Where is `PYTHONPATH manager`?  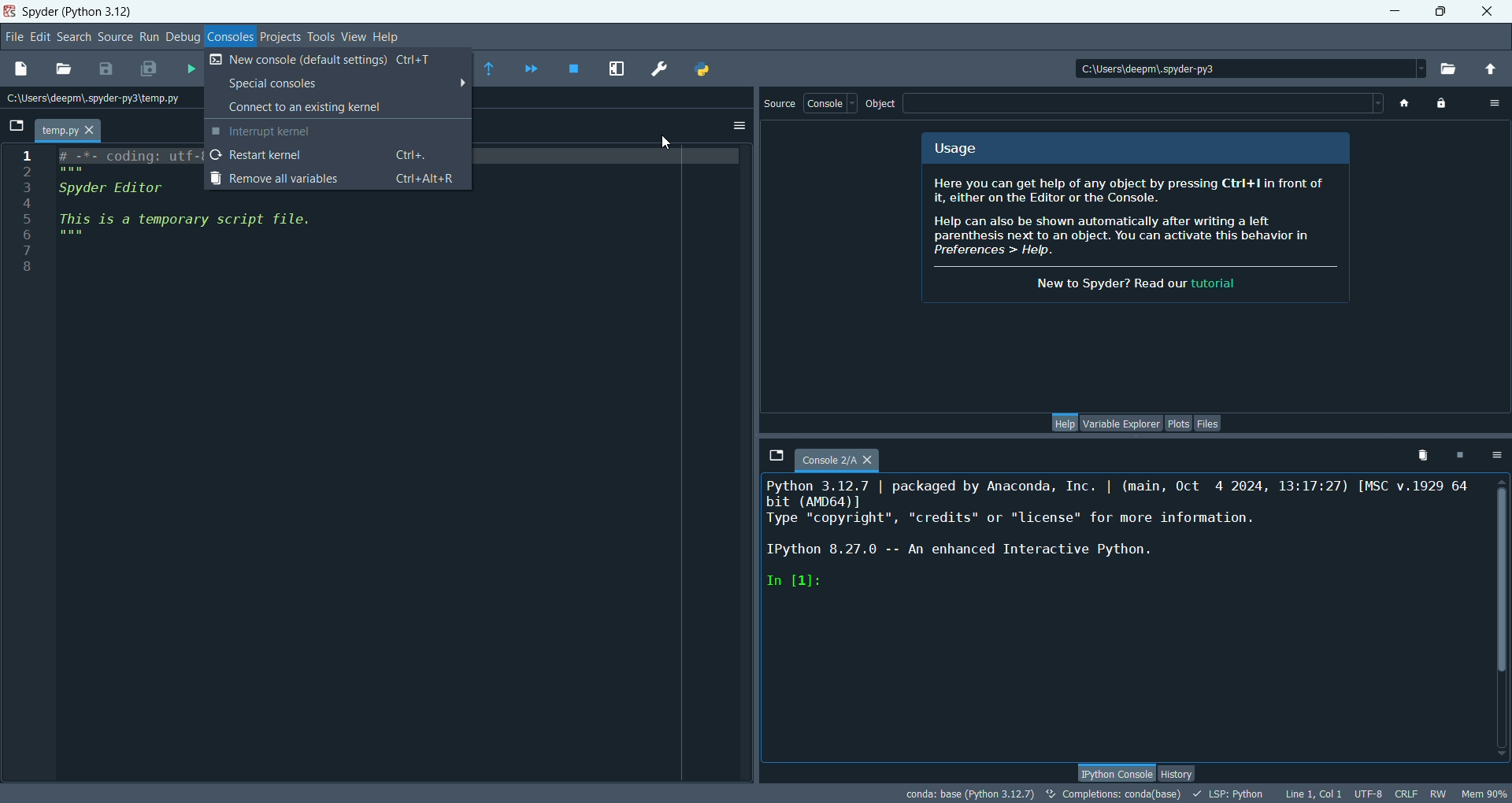
PYTHONPATH manager is located at coordinates (702, 71).